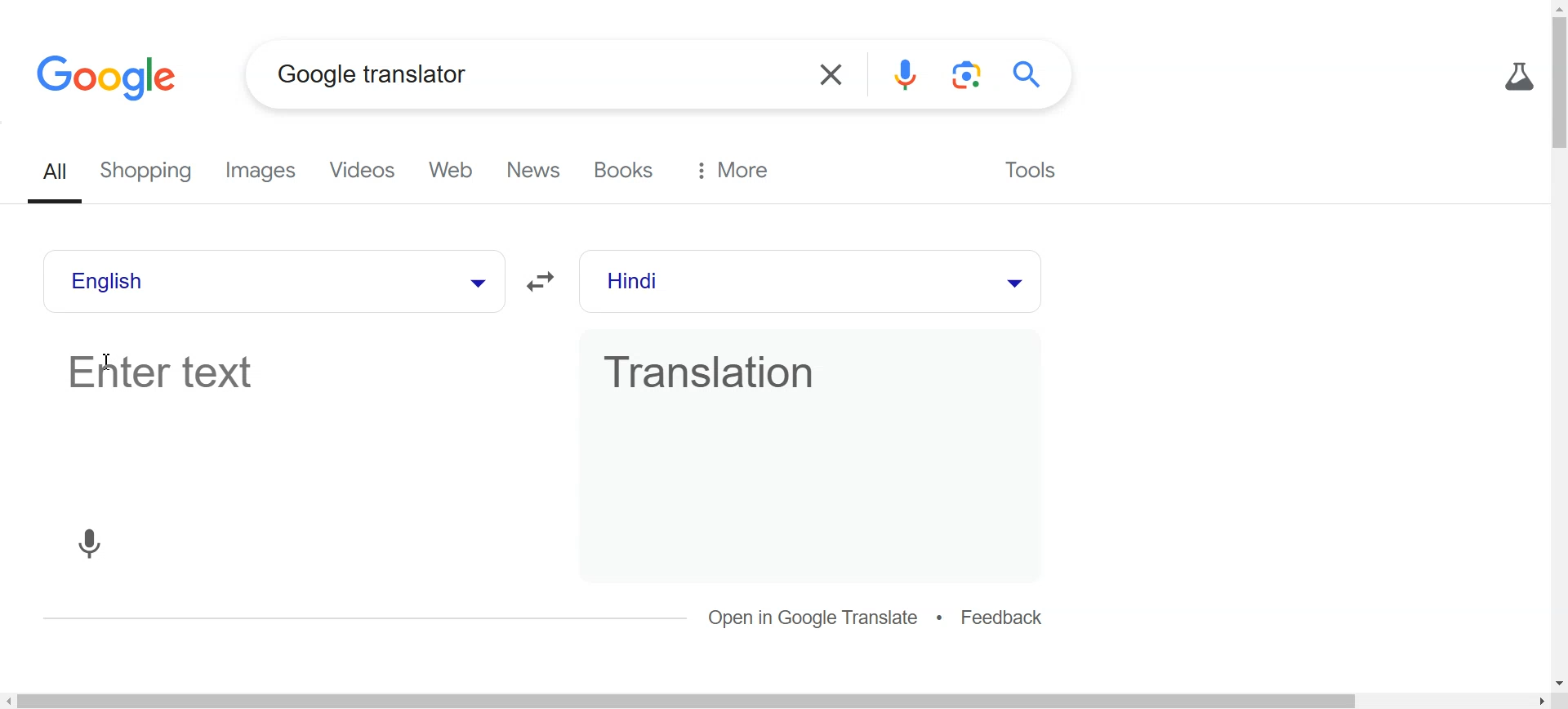  What do you see at coordinates (90, 542) in the screenshot?
I see `Translate by voice` at bounding box center [90, 542].